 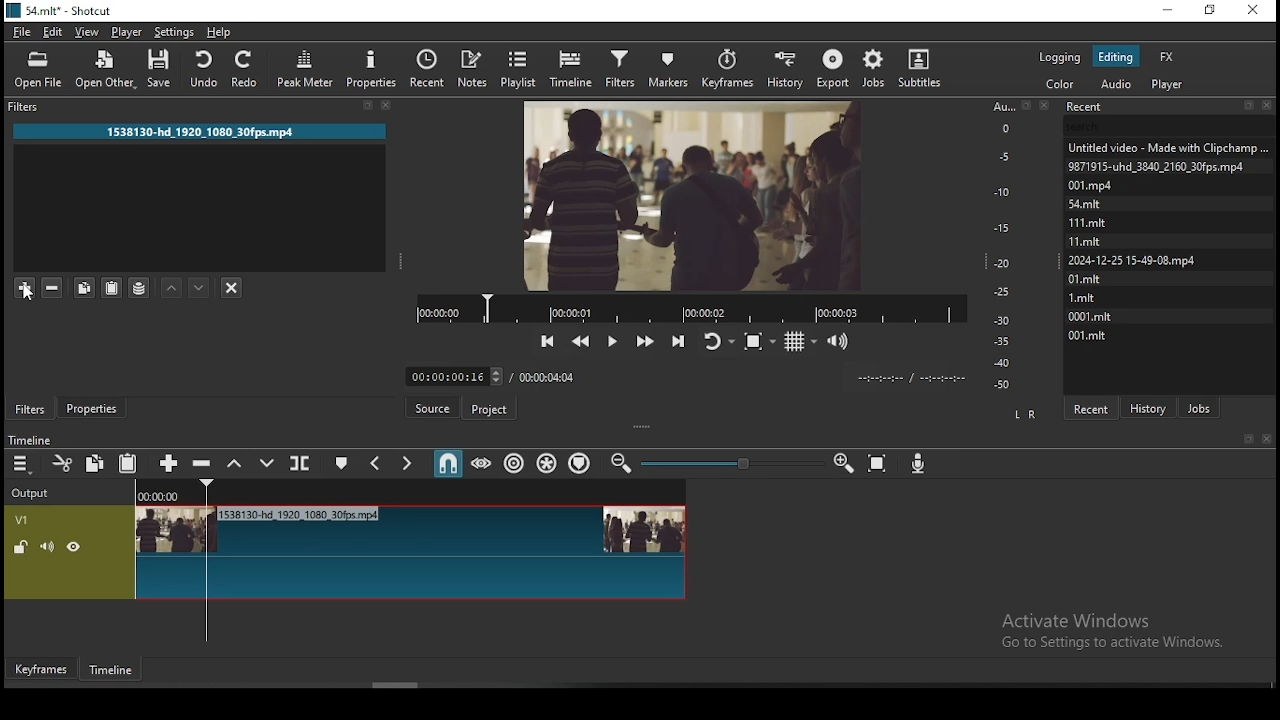 What do you see at coordinates (523, 67) in the screenshot?
I see `playlist` at bounding box center [523, 67].